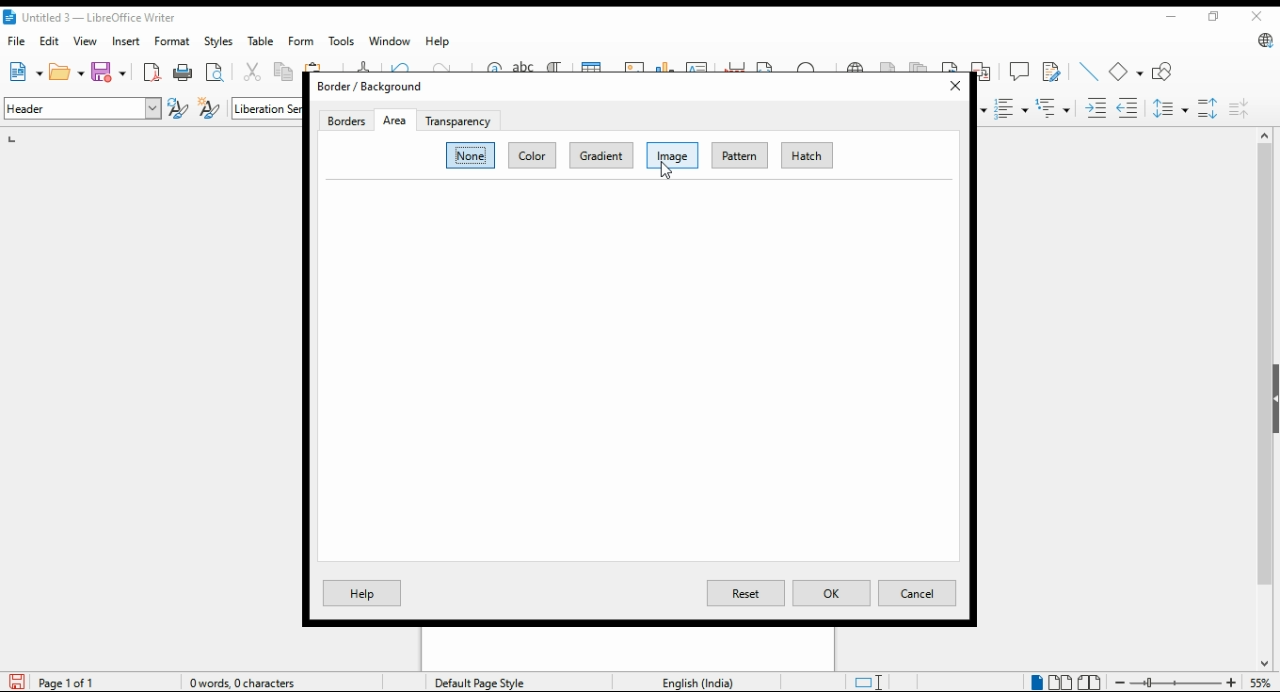 This screenshot has height=692, width=1280. What do you see at coordinates (981, 71) in the screenshot?
I see `insert cross-reference` at bounding box center [981, 71].